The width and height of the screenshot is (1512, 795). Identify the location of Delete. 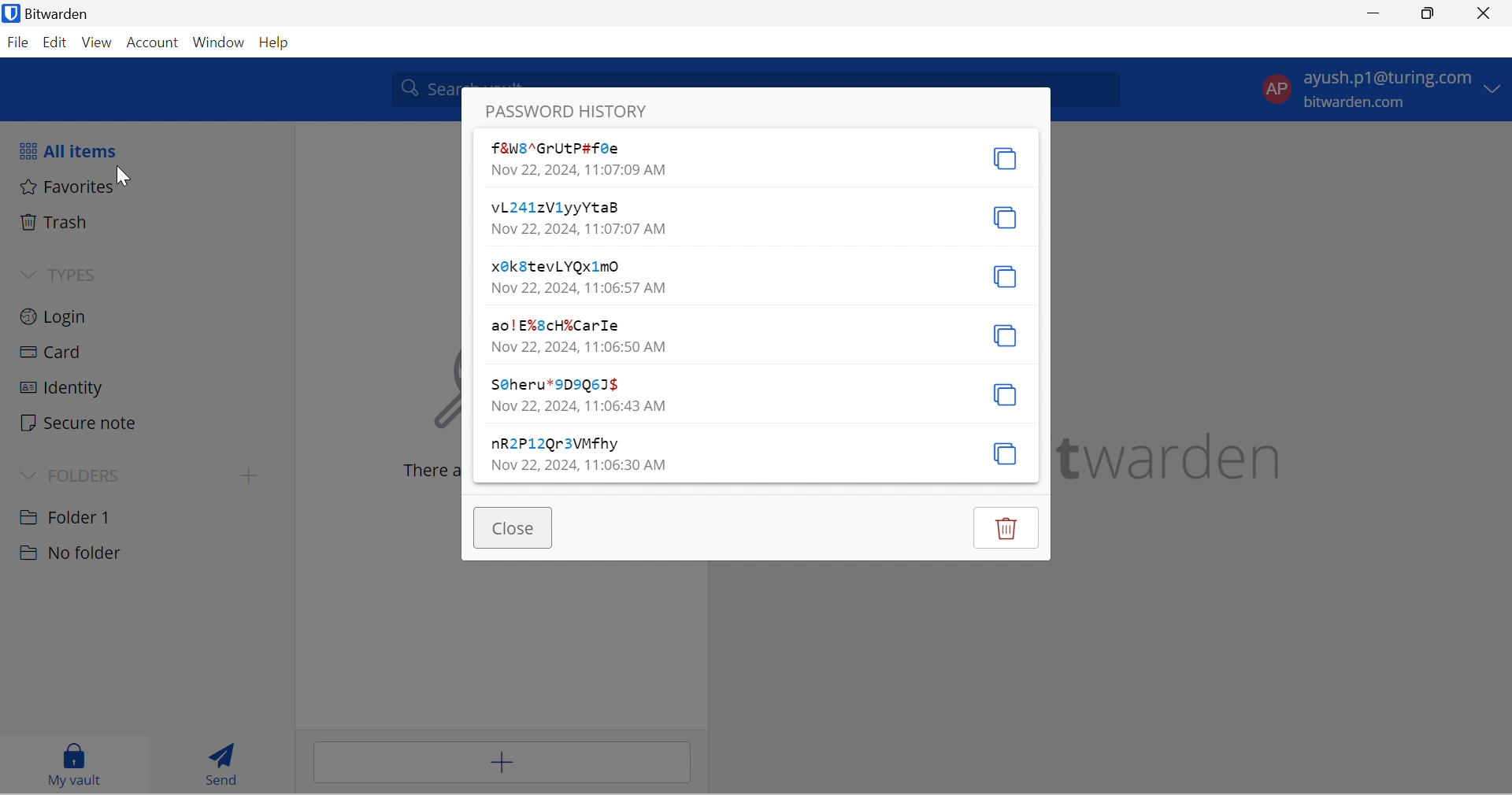
(1009, 527).